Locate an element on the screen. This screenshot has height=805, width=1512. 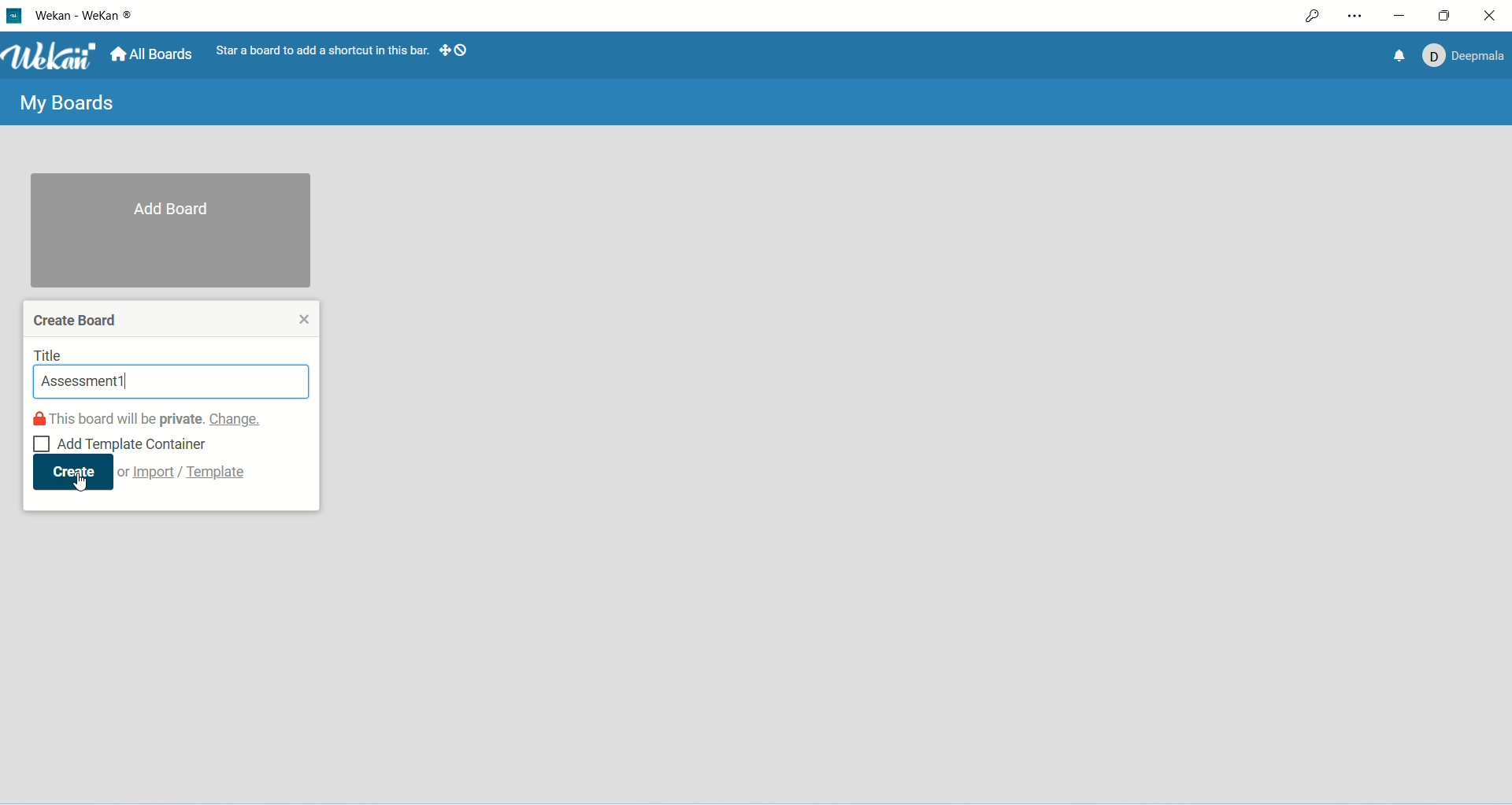
minimize is located at coordinates (1404, 14).